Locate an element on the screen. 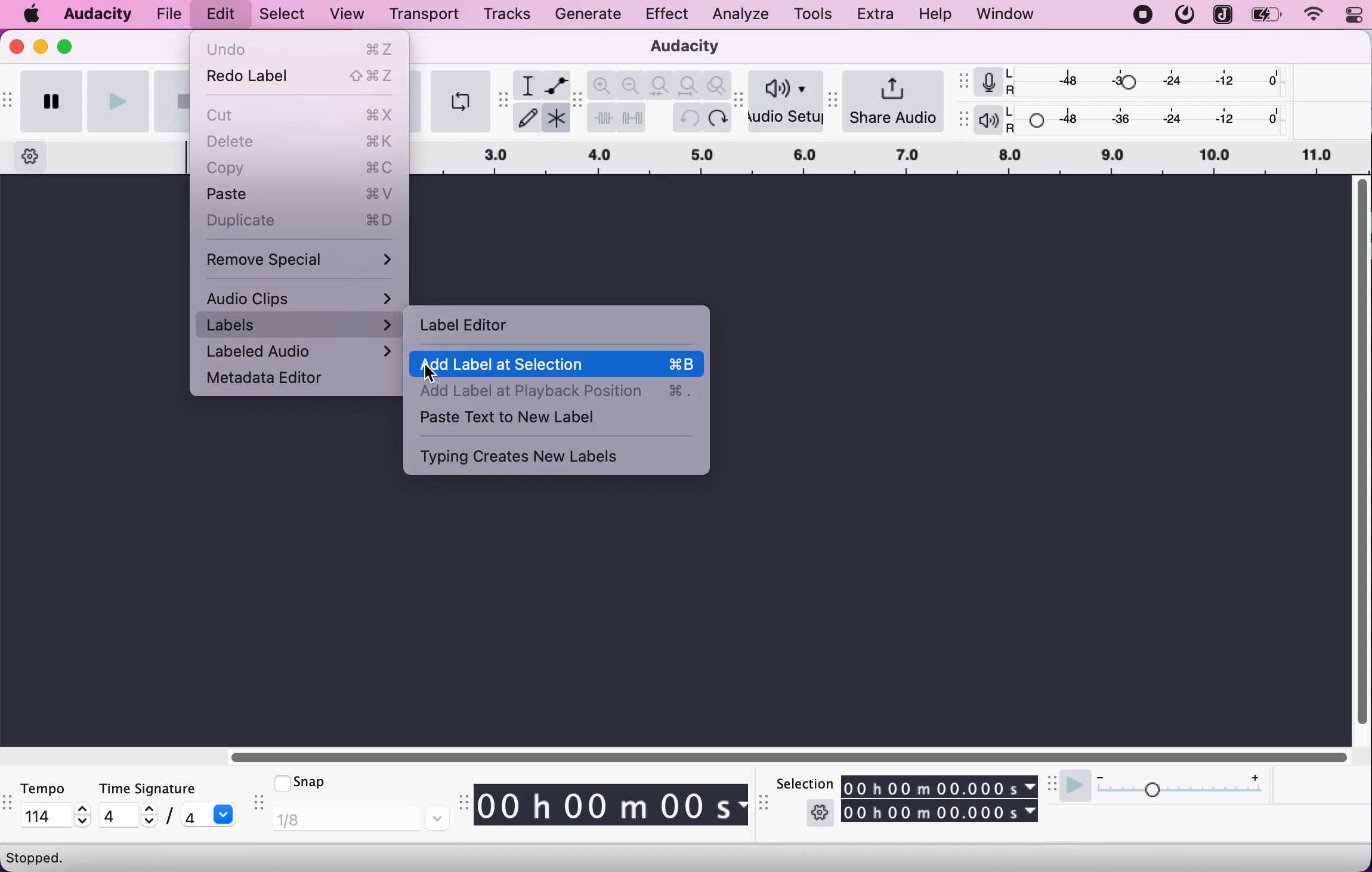  increase is located at coordinates (83, 809).